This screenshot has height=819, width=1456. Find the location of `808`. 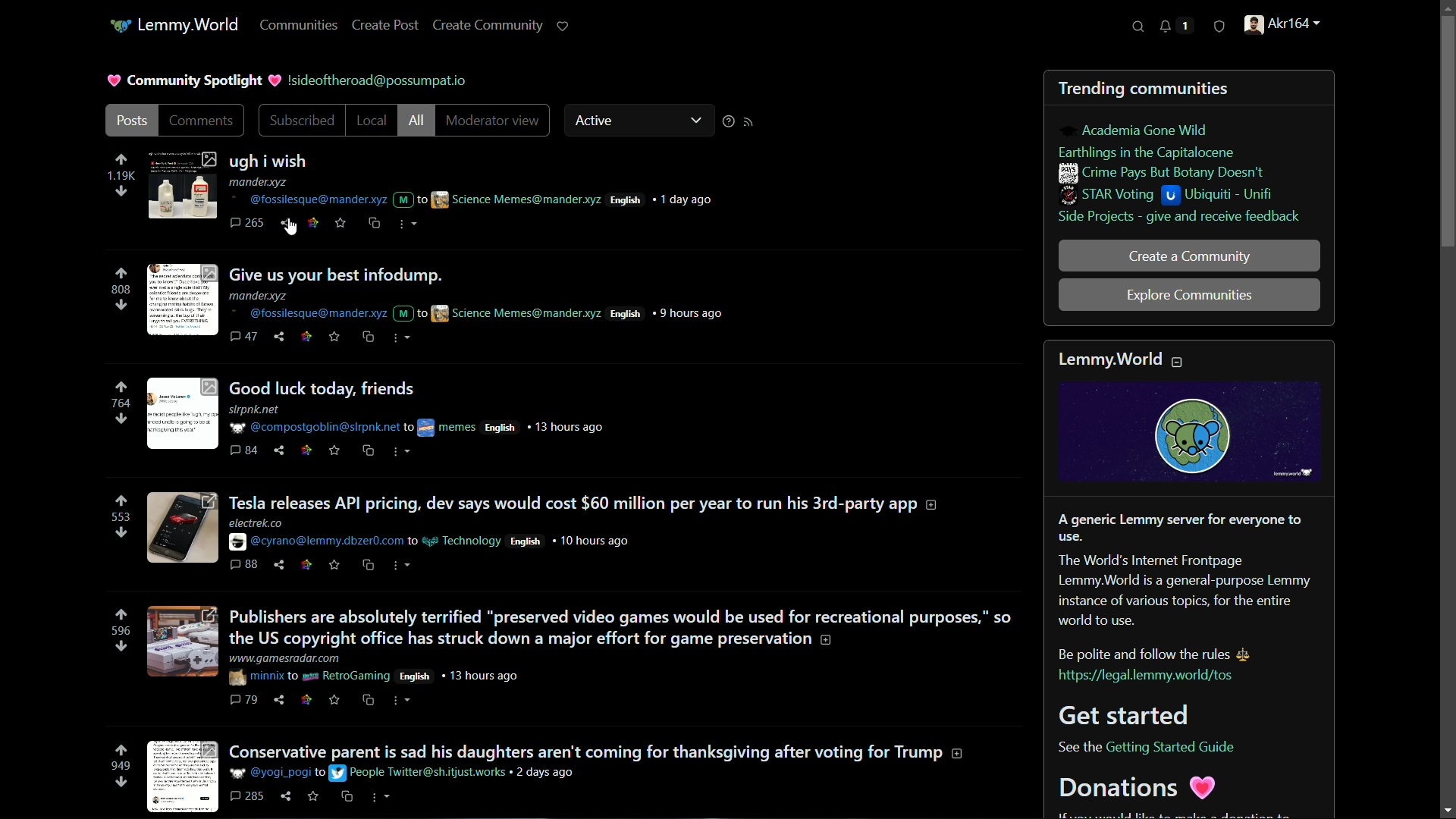

808 is located at coordinates (121, 290).